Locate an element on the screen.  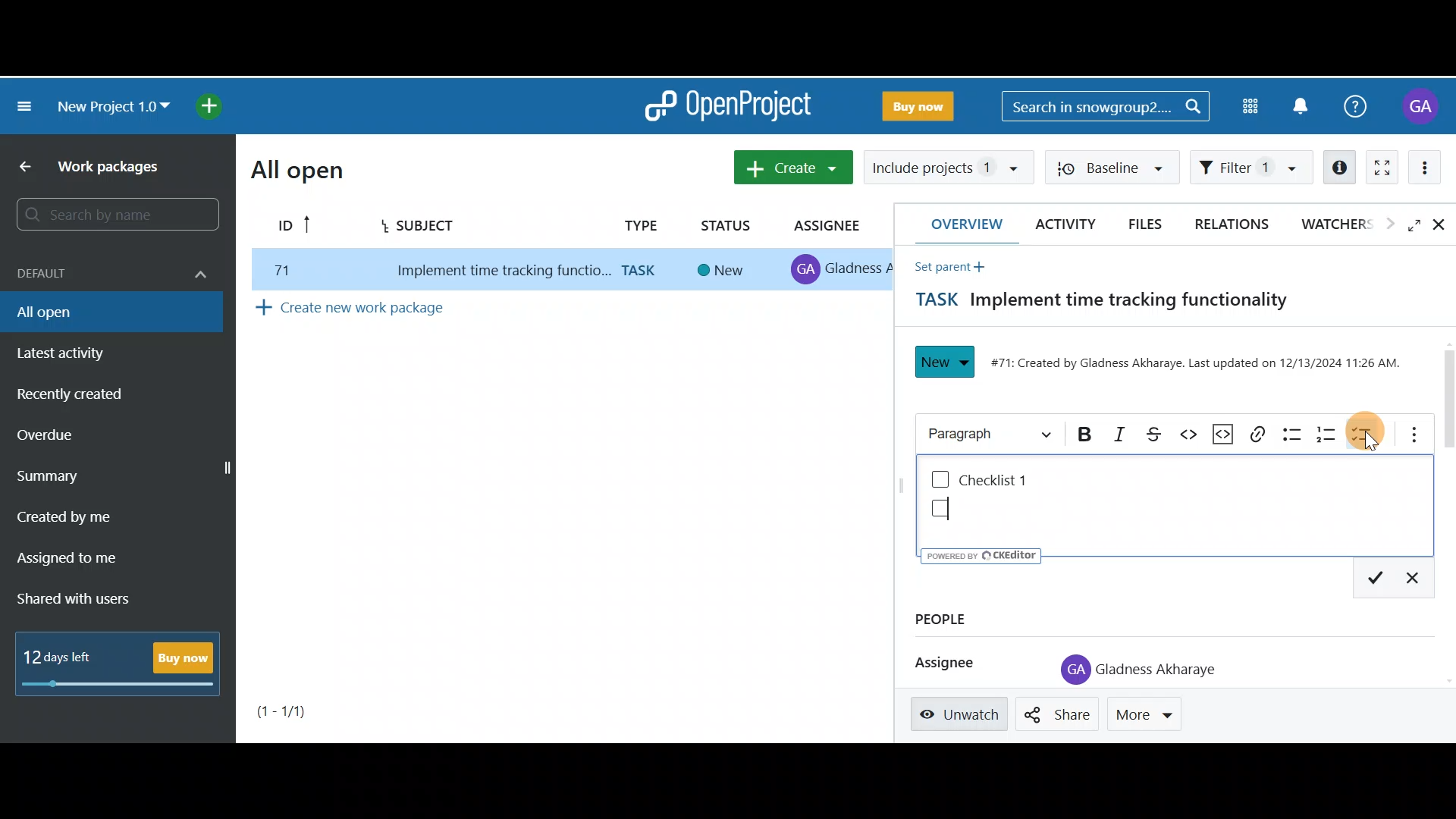
Overview is located at coordinates (960, 224).